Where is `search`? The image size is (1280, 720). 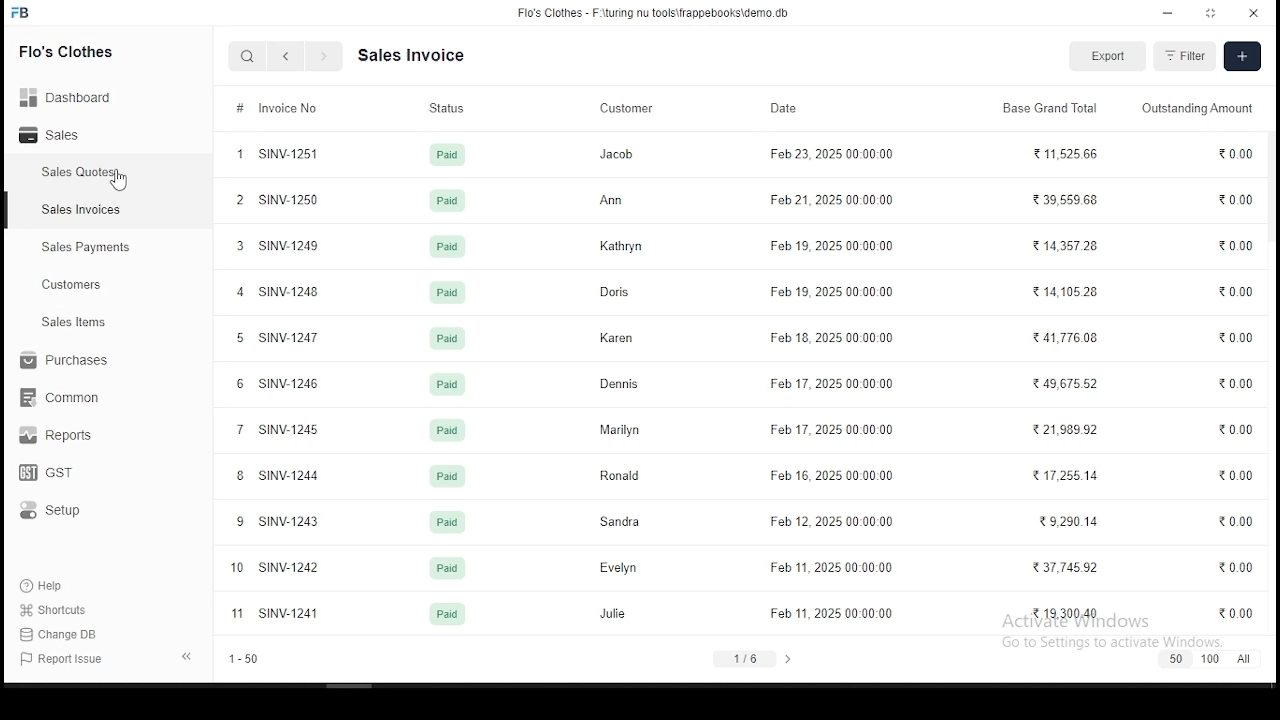 search is located at coordinates (247, 55).